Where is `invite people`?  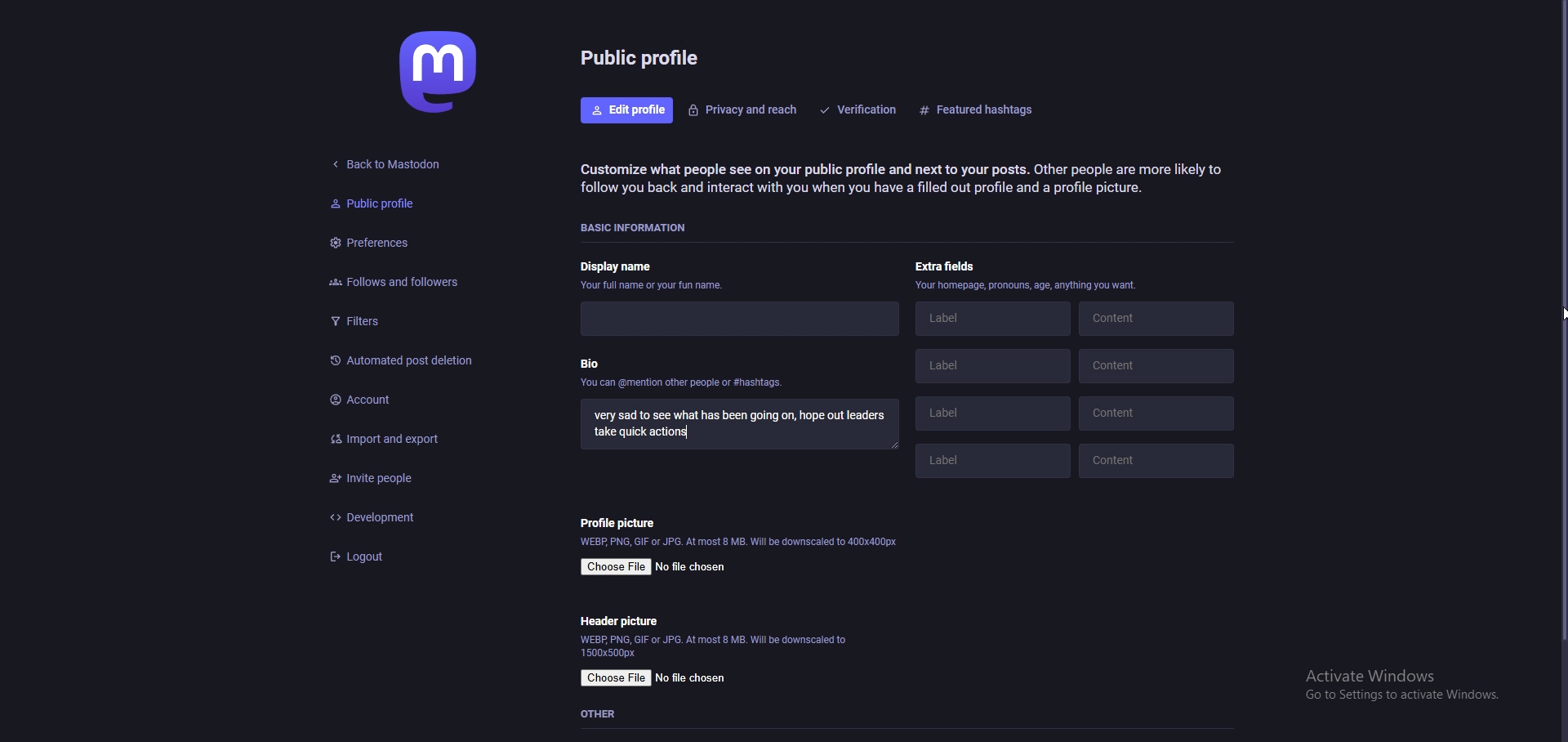 invite people is located at coordinates (405, 477).